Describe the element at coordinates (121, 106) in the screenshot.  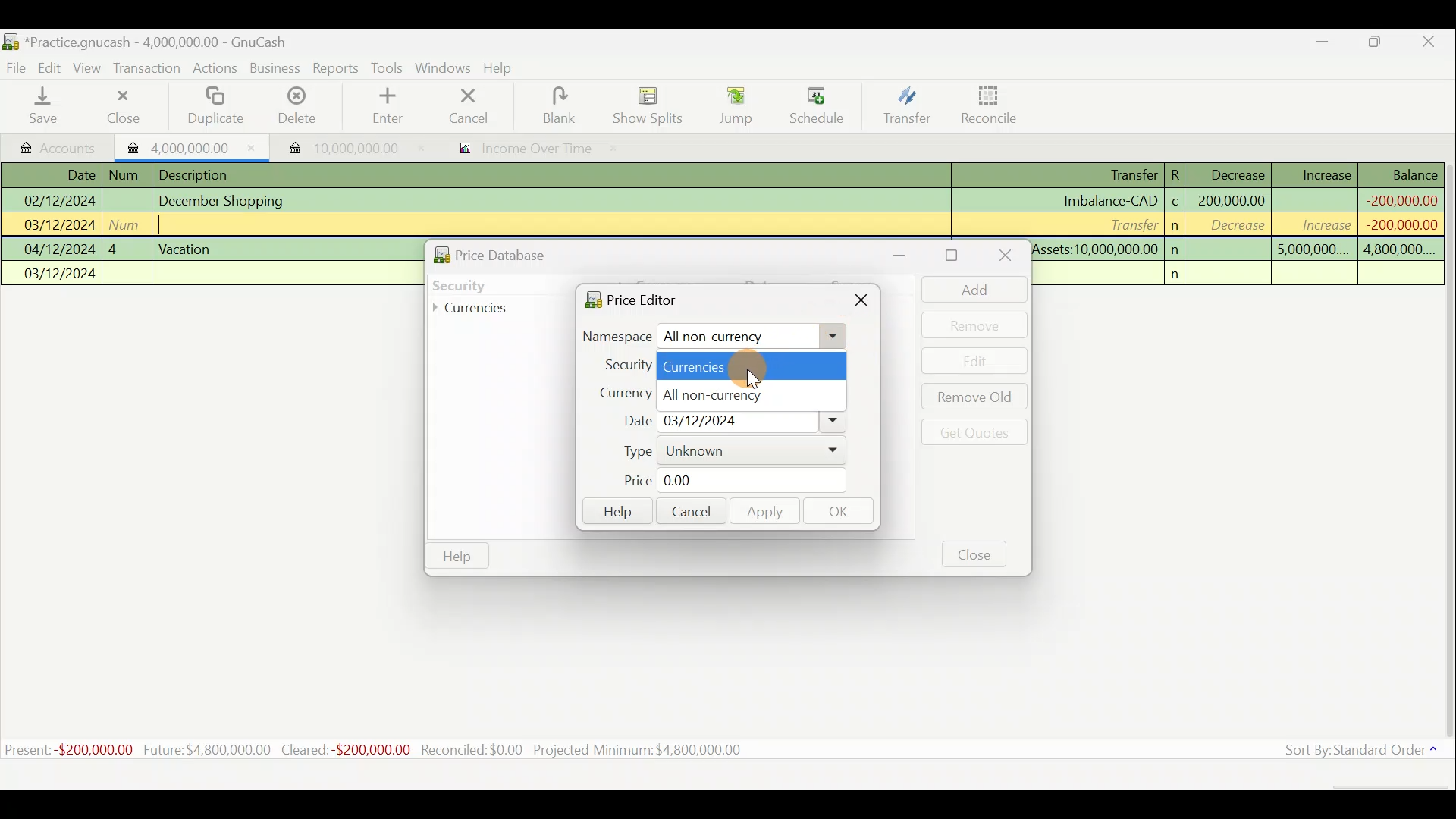
I see `Close` at that location.